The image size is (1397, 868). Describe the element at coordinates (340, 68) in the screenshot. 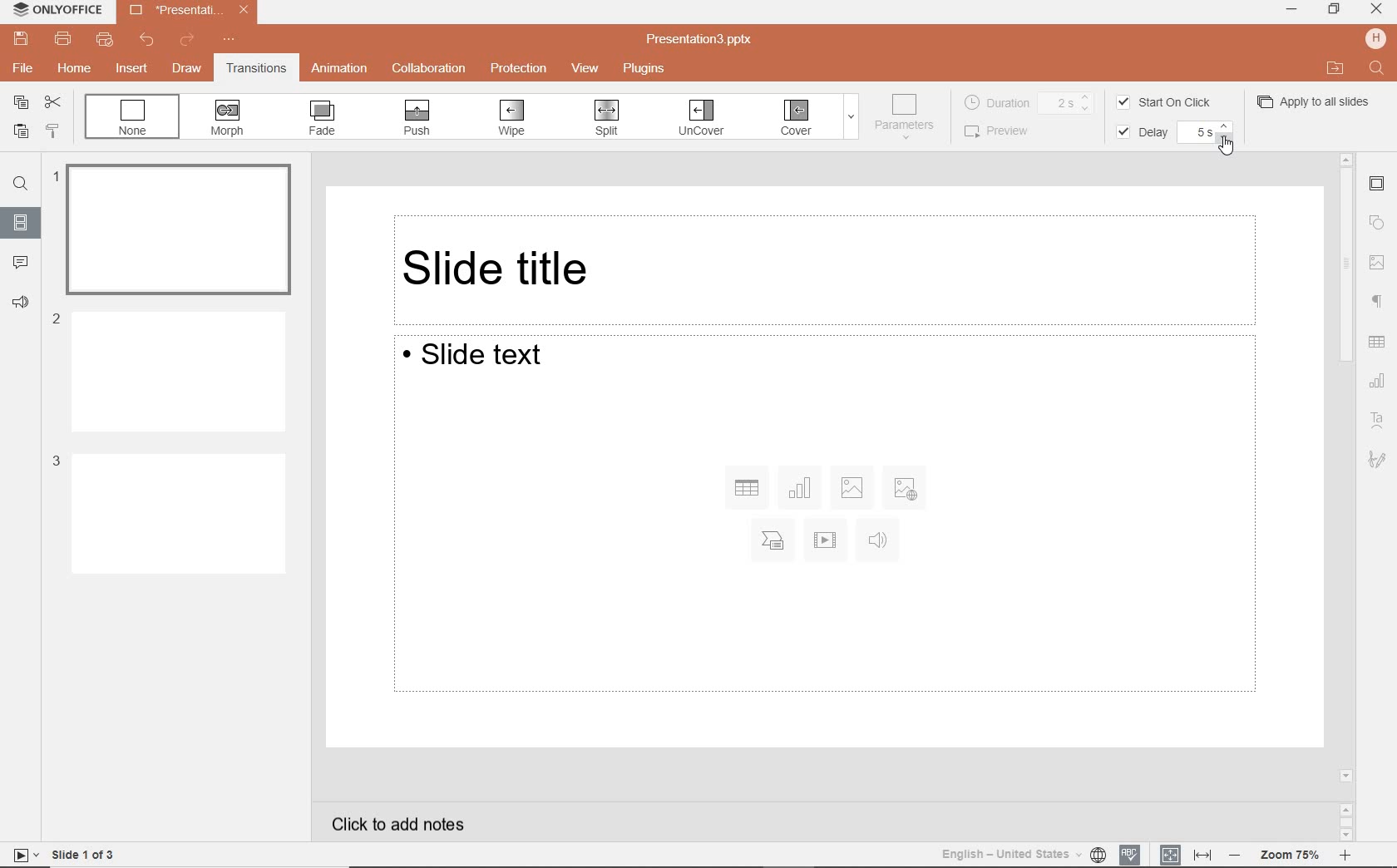

I see `animation` at that location.